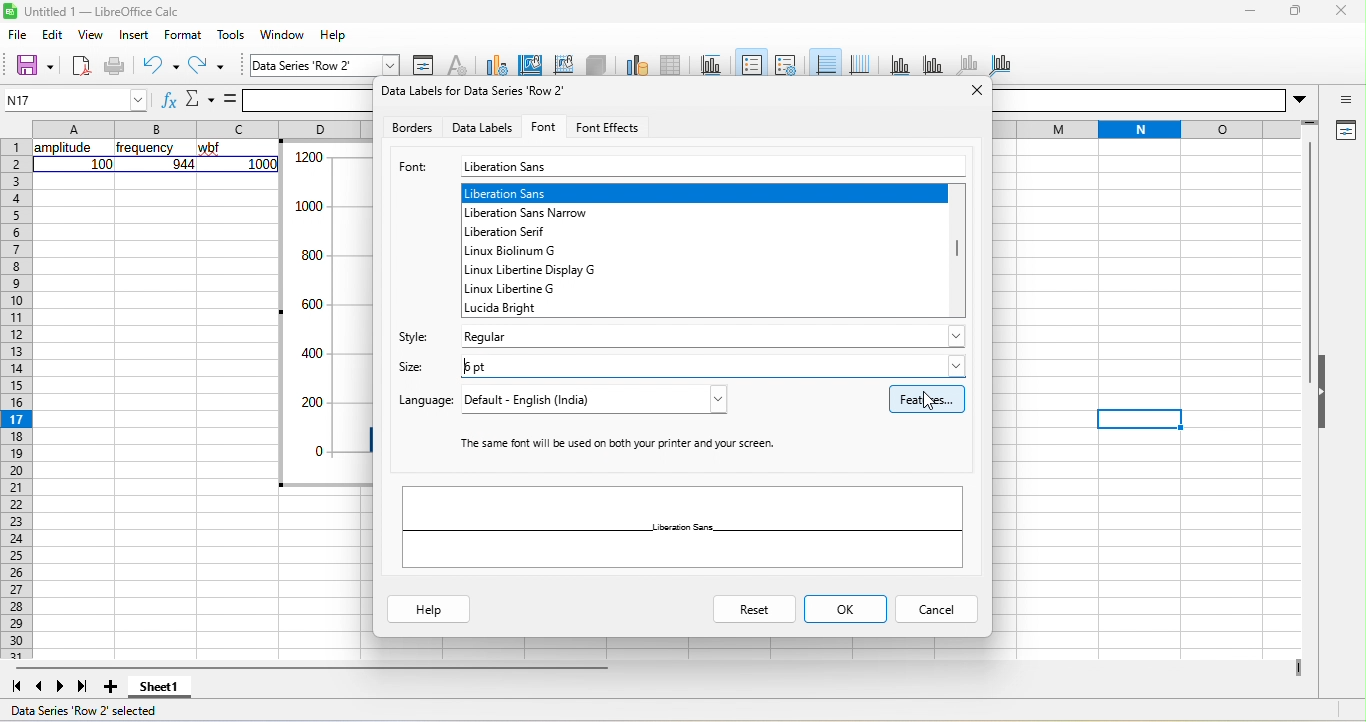 Image resolution: width=1366 pixels, height=722 pixels. Describe the element at coordinates (903, 62) in the screenshot. I see `x axis` at that location.